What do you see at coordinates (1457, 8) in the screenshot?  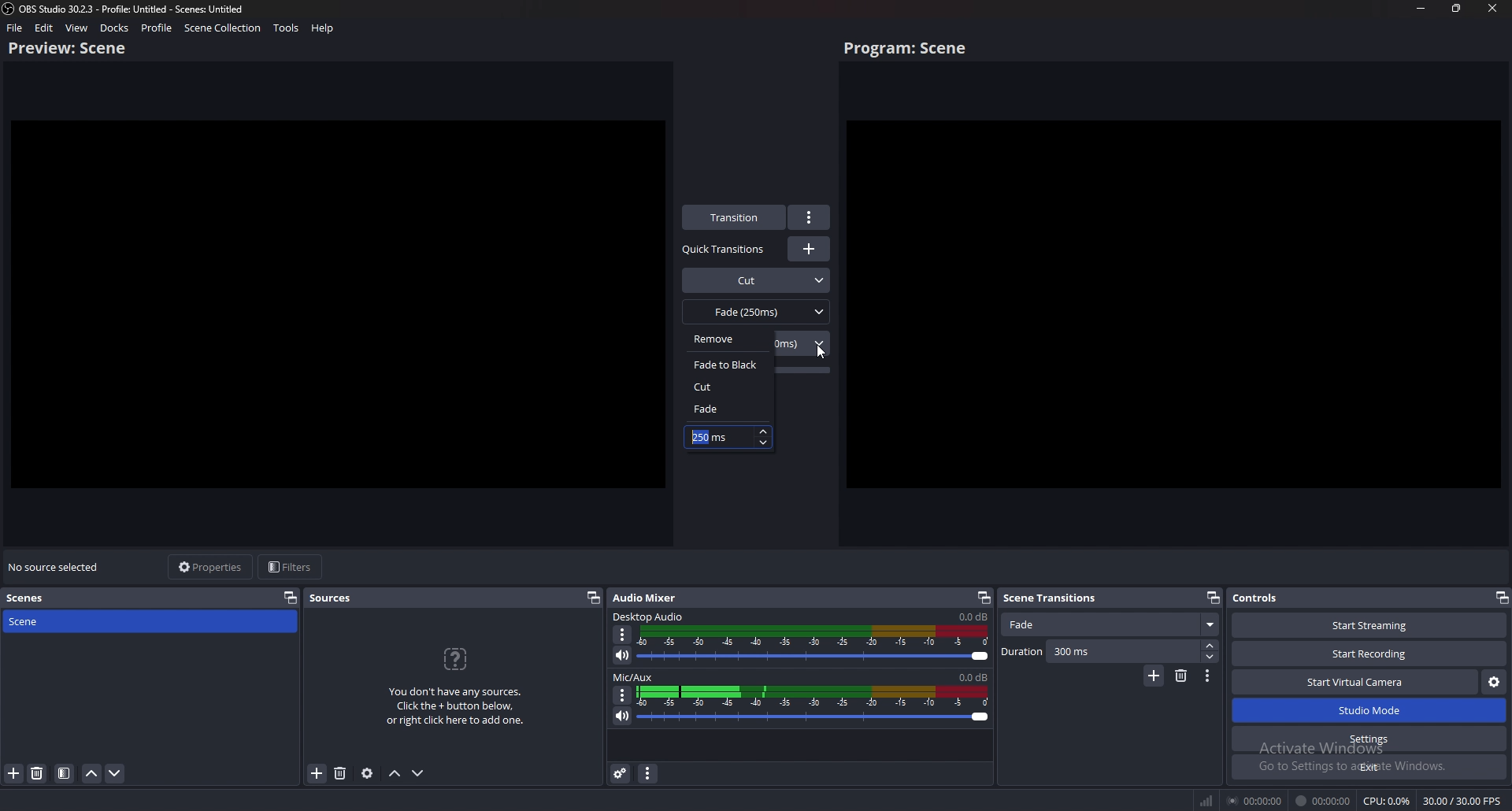 I see `resize` at bounding box center [1457, 8].